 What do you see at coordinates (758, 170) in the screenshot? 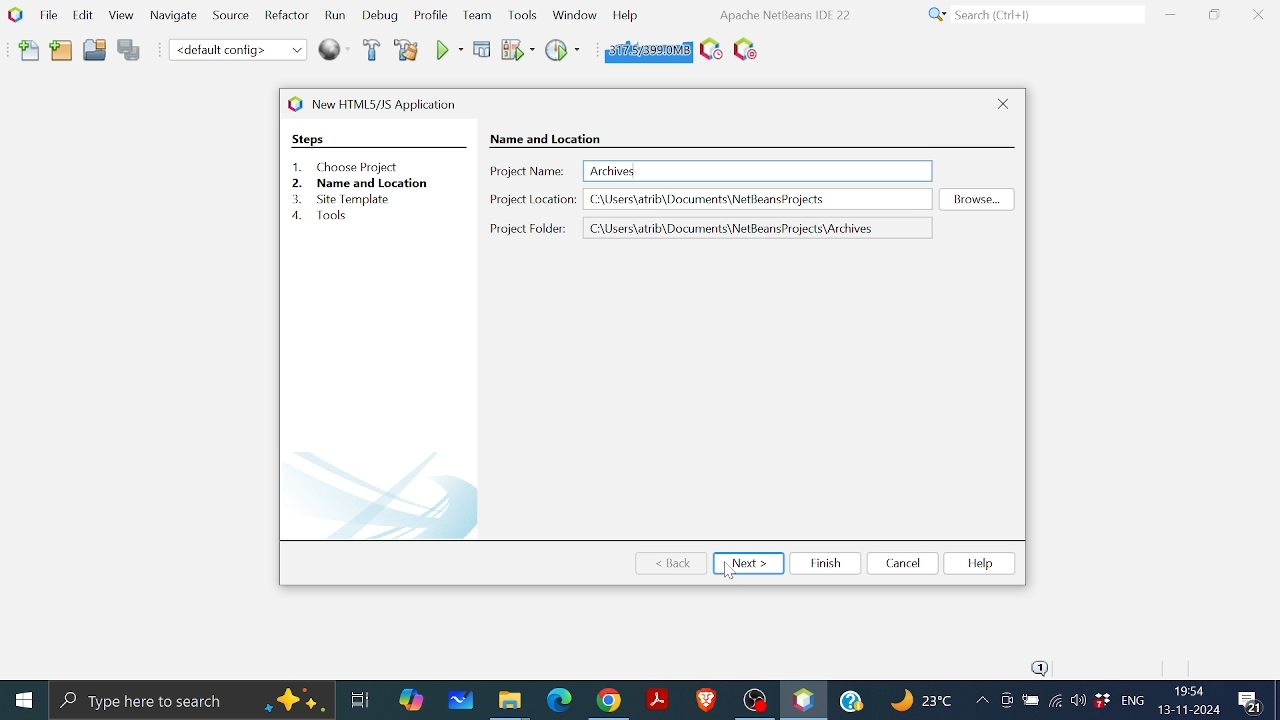
I see `Space for writing the project name` at bounding box center [758, 170].